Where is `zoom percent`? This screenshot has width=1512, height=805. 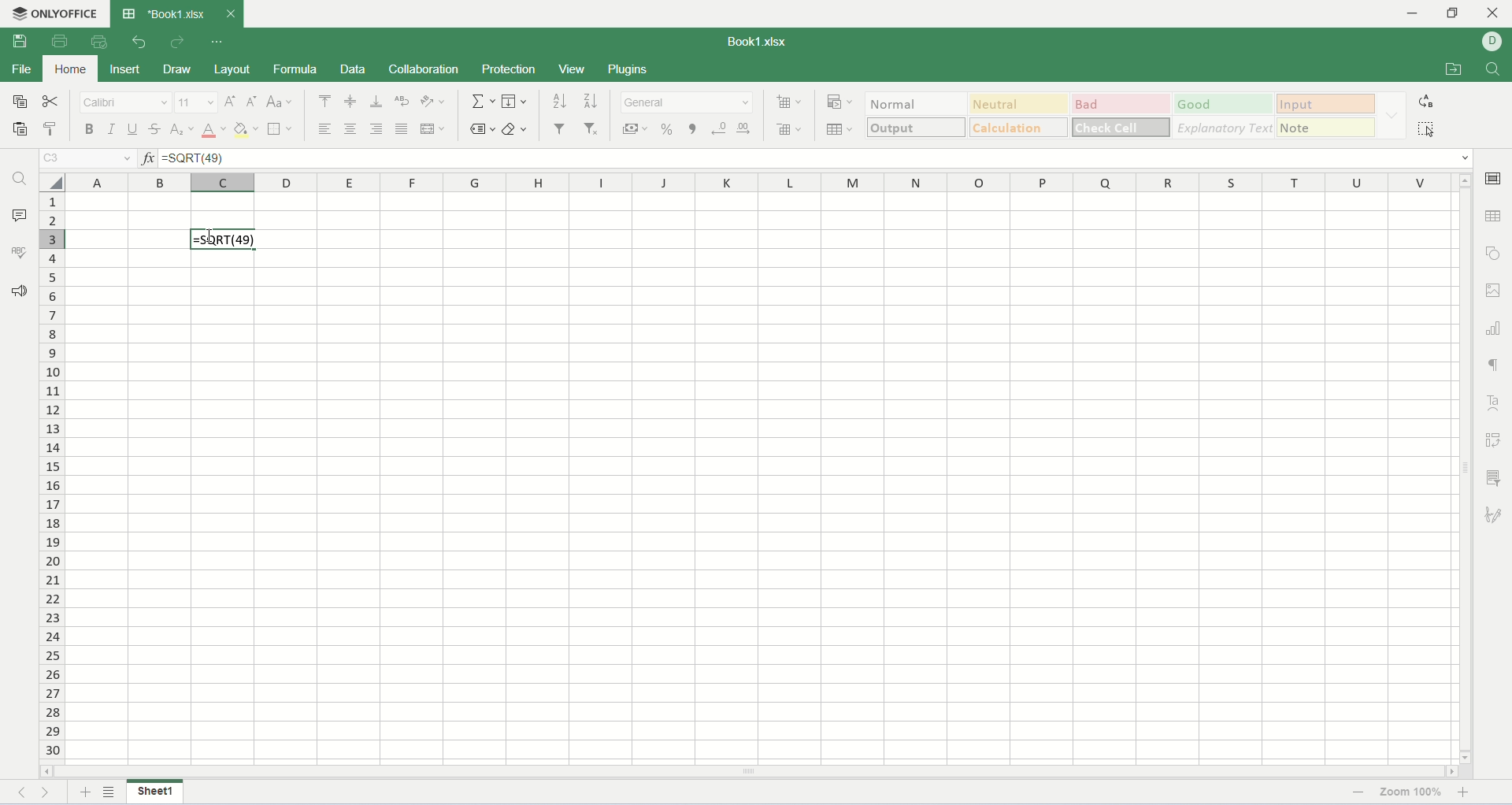
zoom percent is located at coordinates (1414, 793).